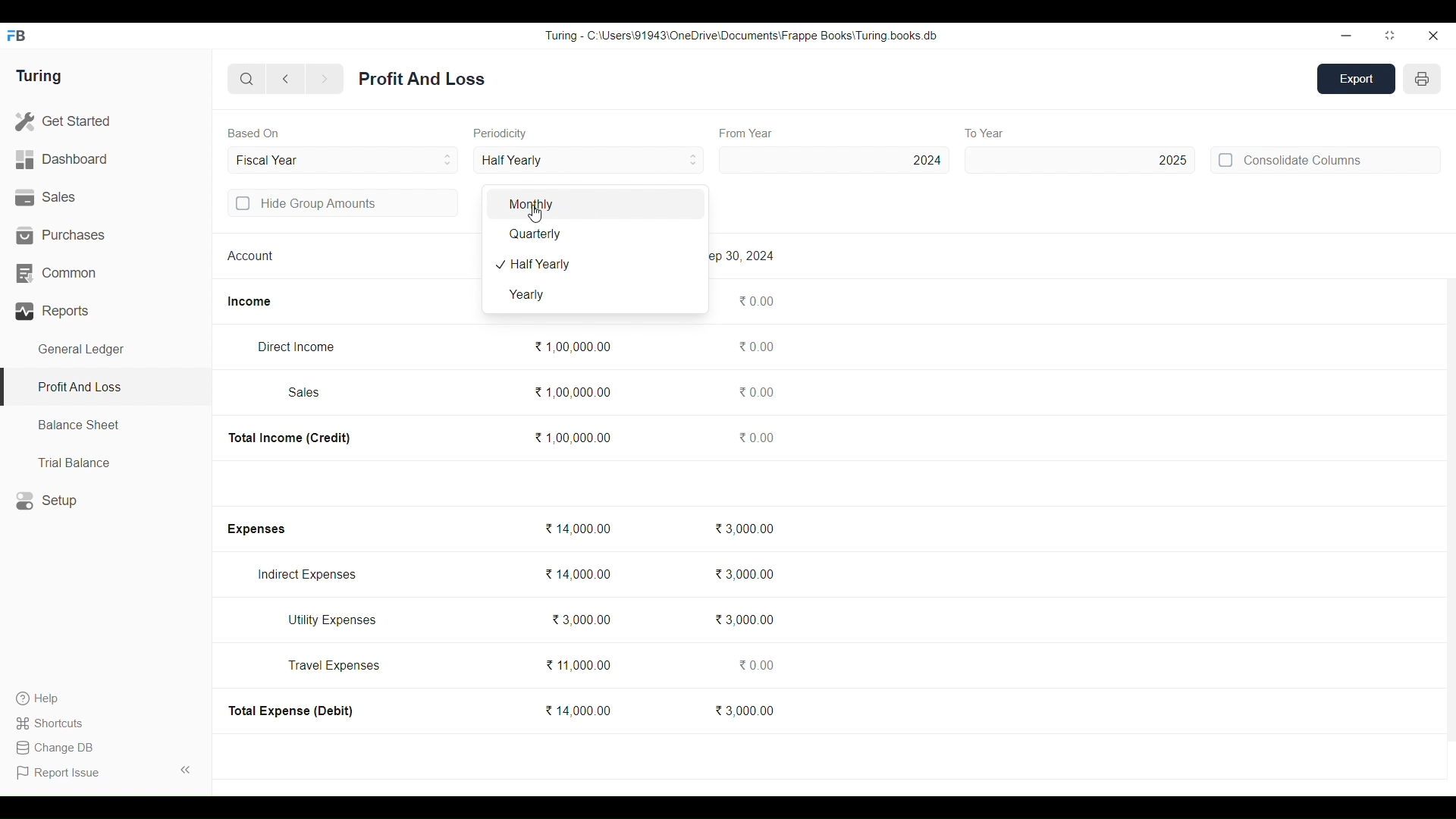 The width and height of the screenshot is (1456, 819). Describe the element at coordinates (595, 234) in the screenshot. I see `Quarterly` at that location.